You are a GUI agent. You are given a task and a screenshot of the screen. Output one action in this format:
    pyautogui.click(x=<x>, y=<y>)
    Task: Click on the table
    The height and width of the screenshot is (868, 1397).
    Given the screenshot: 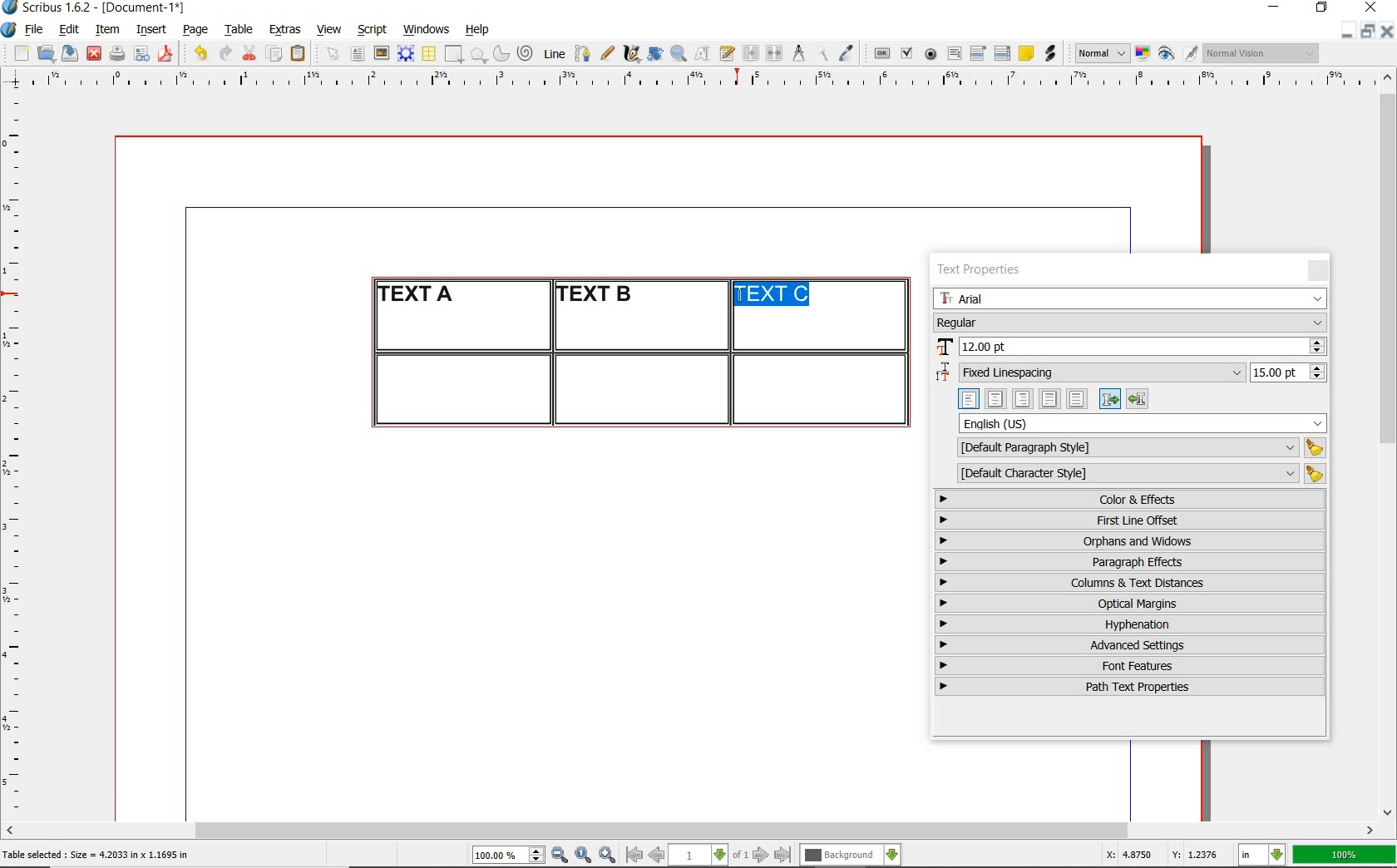 What is the action you would take?
    pyautogui.click(x=430, y=54)
    